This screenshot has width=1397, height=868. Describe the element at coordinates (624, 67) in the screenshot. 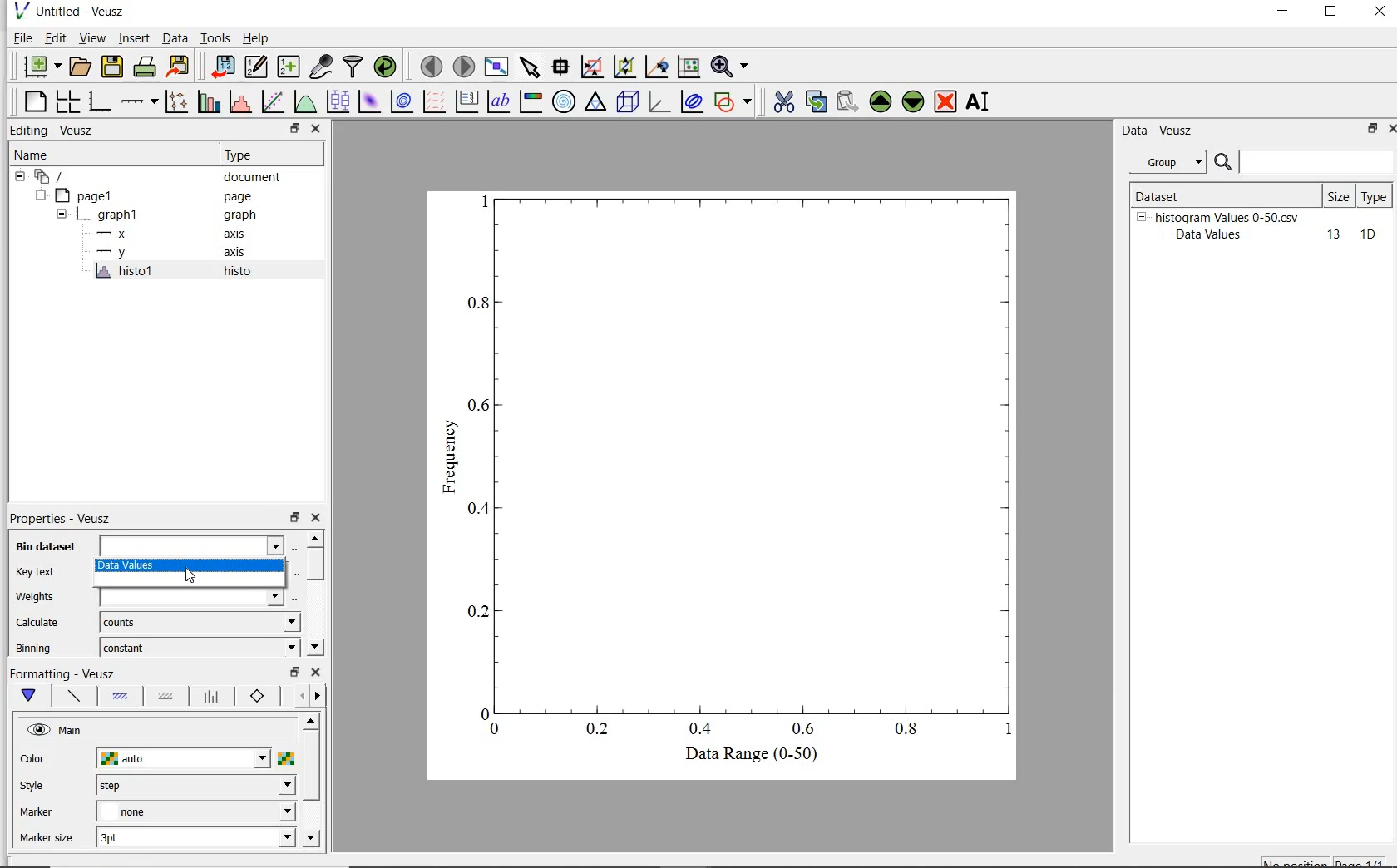

I see `click or draw a rectangle to zoom on graph axes` at that location.